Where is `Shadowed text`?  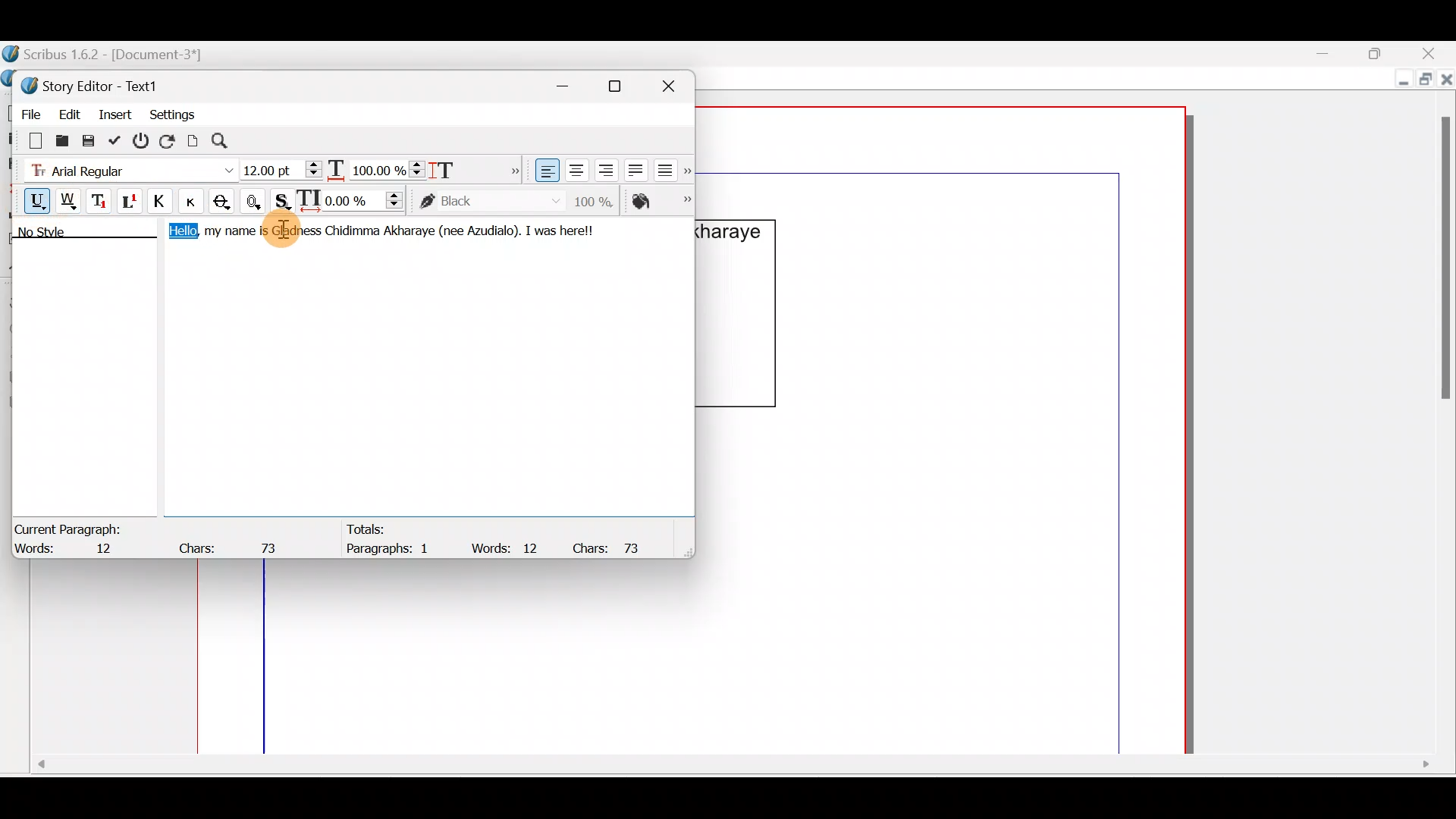
Shadowed text is located at coordinates (284, 199).